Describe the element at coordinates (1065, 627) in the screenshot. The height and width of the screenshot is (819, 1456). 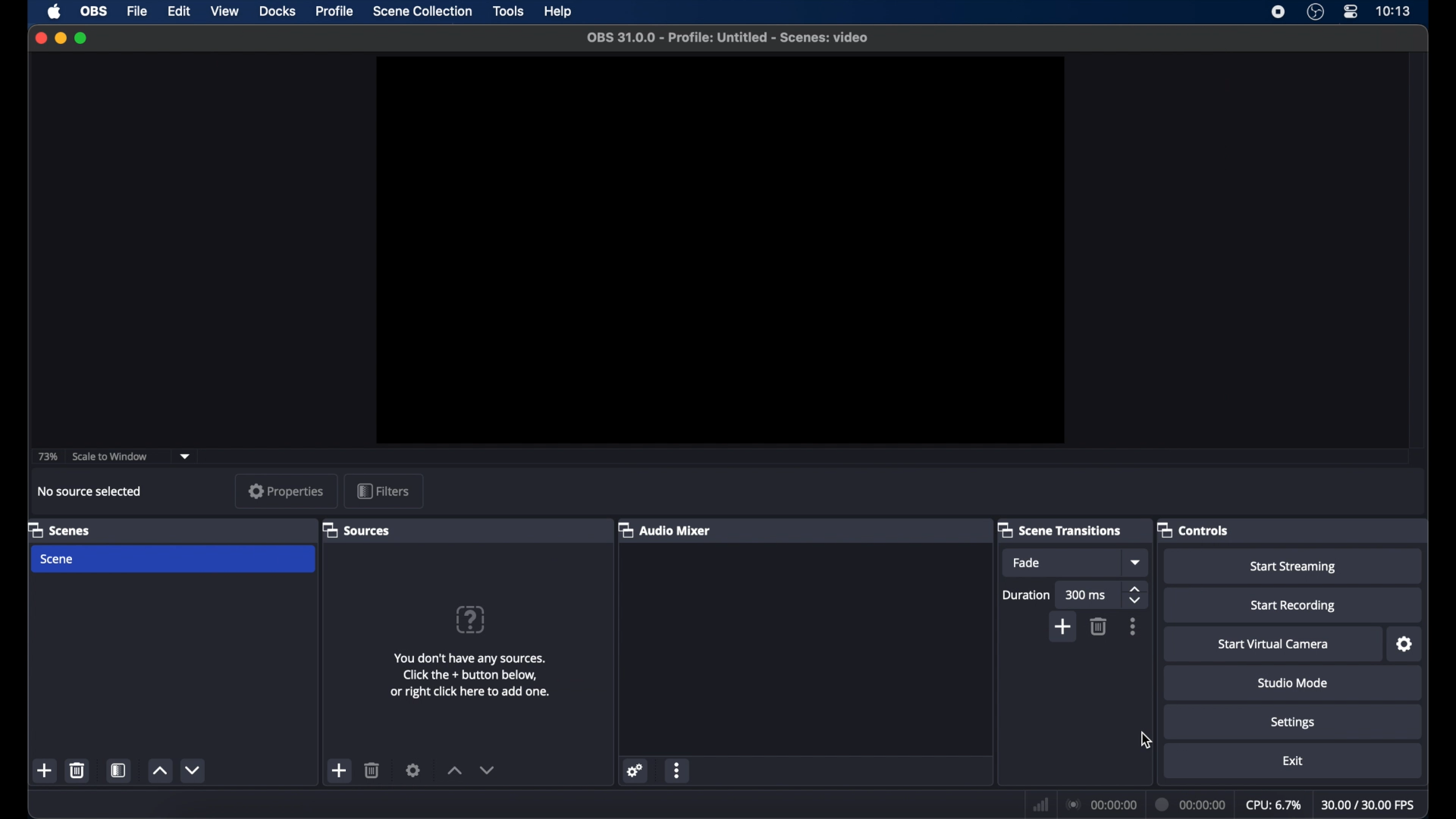
I see `add` at that location.